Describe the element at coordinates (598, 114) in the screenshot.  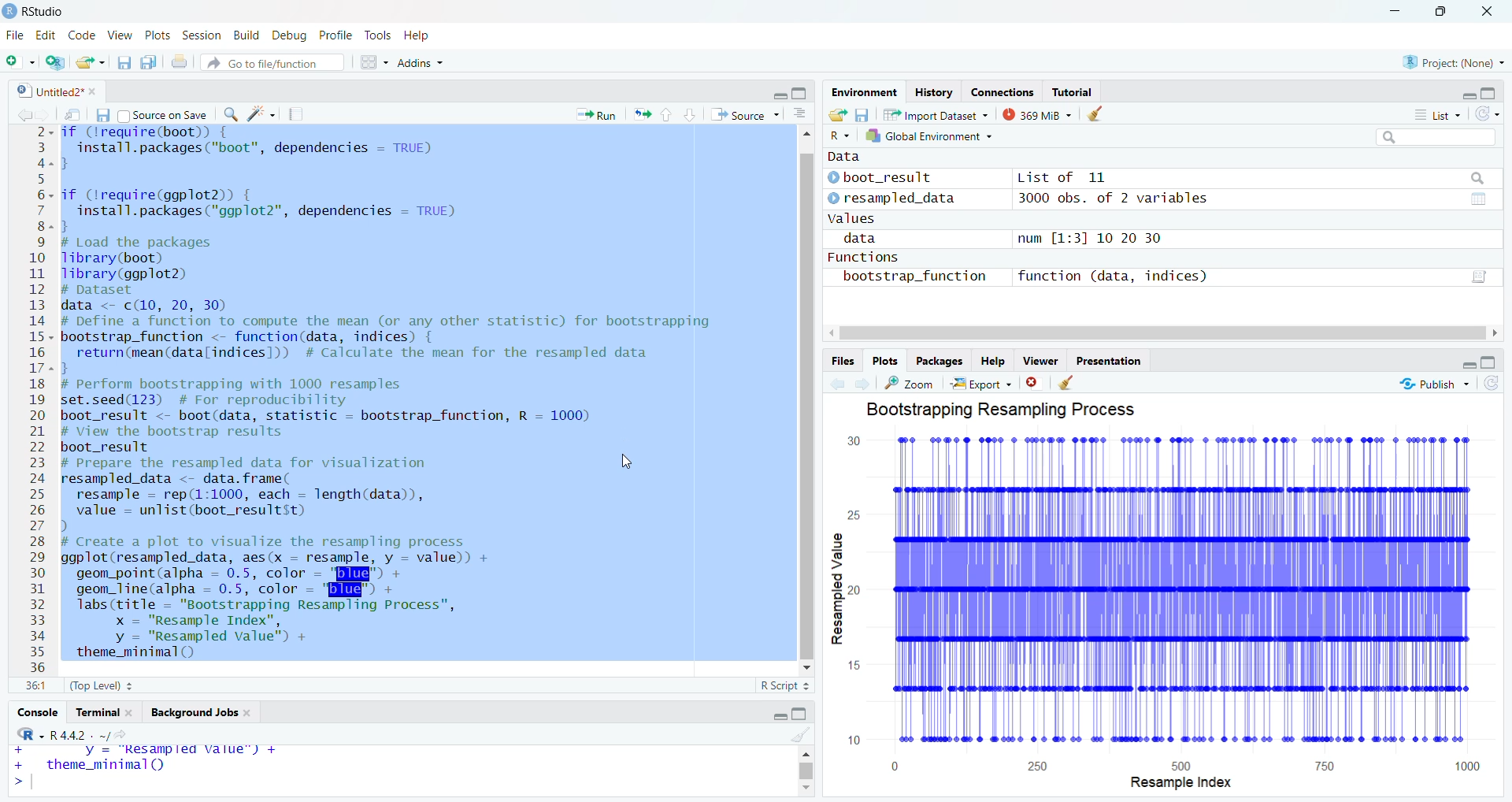
I see ` Run` at that location.